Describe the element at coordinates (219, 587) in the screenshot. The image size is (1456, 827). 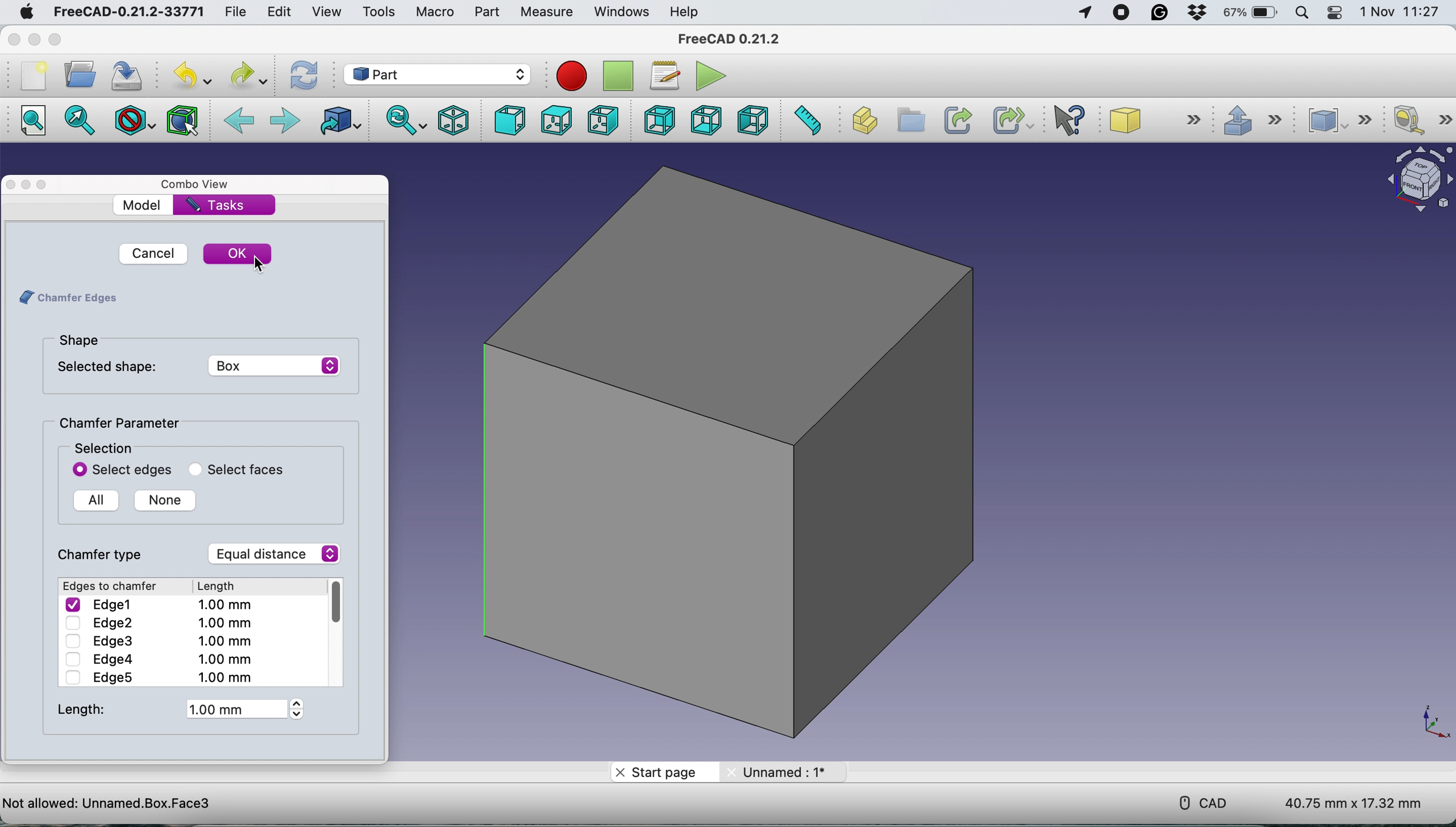
I see `Length` at that location.